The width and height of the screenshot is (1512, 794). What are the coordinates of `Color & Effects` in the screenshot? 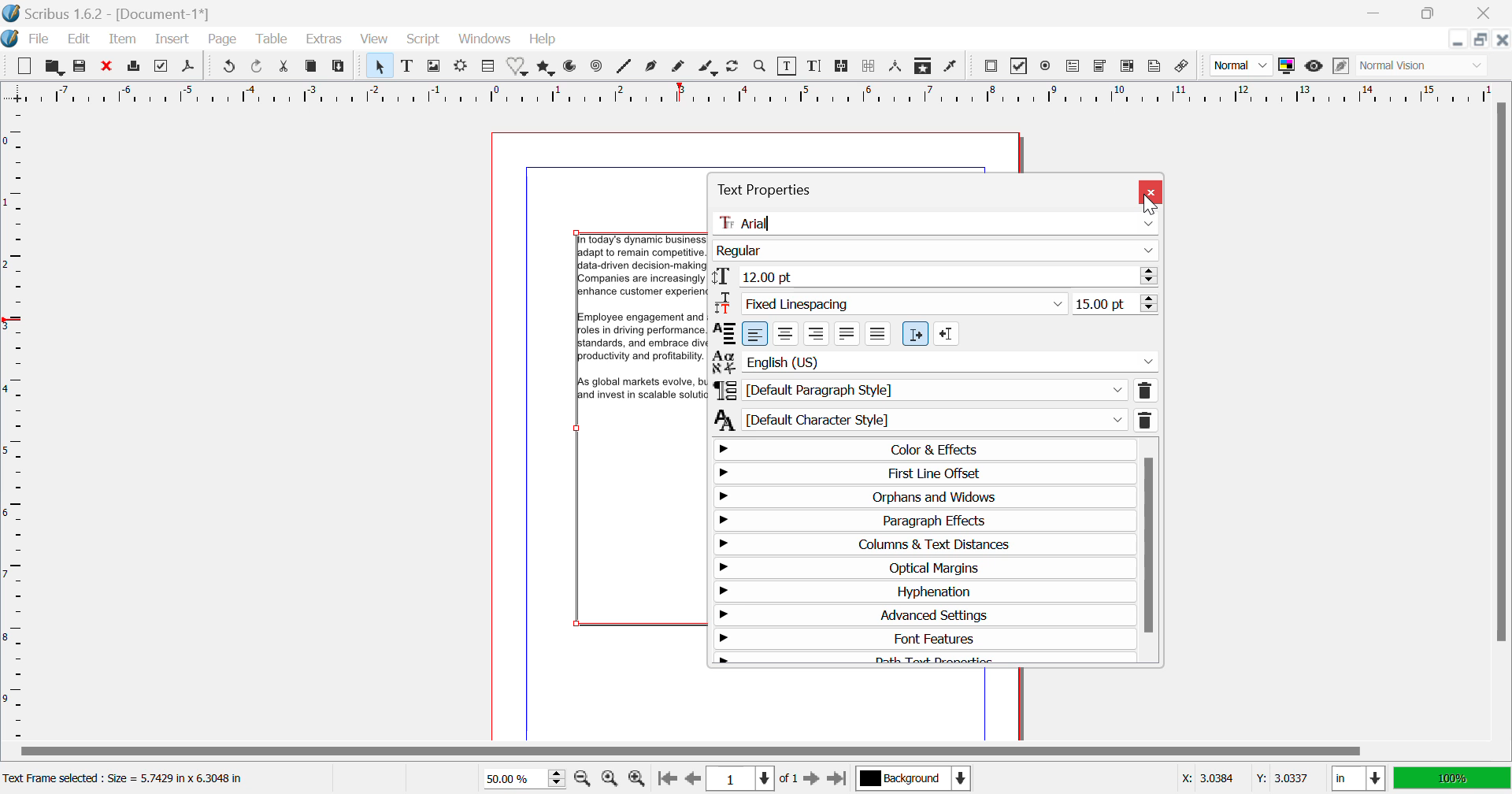 It's located at (921, 448).